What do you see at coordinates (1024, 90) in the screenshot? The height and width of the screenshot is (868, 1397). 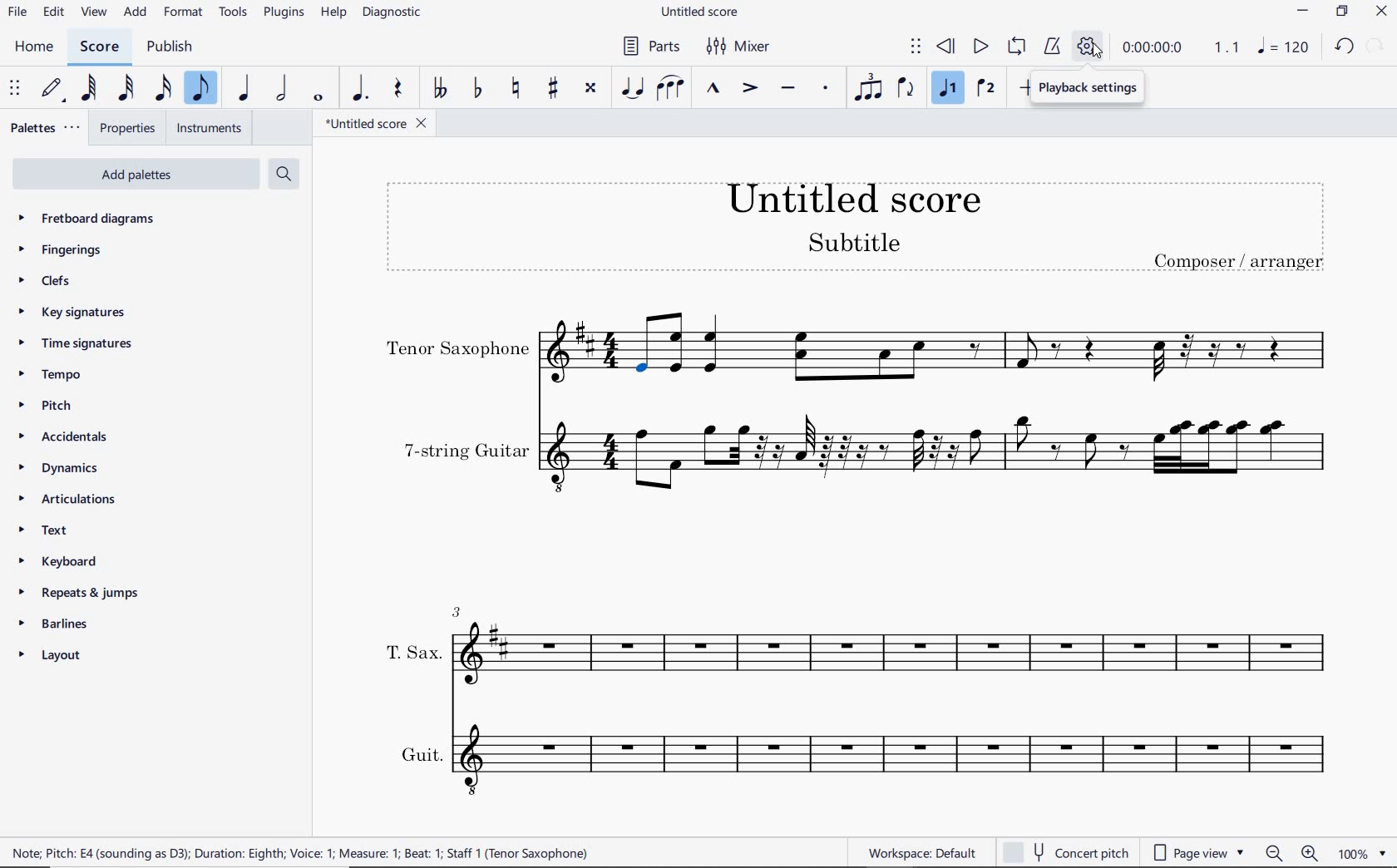 I see `ADD` at bounding box center [1024, 90].